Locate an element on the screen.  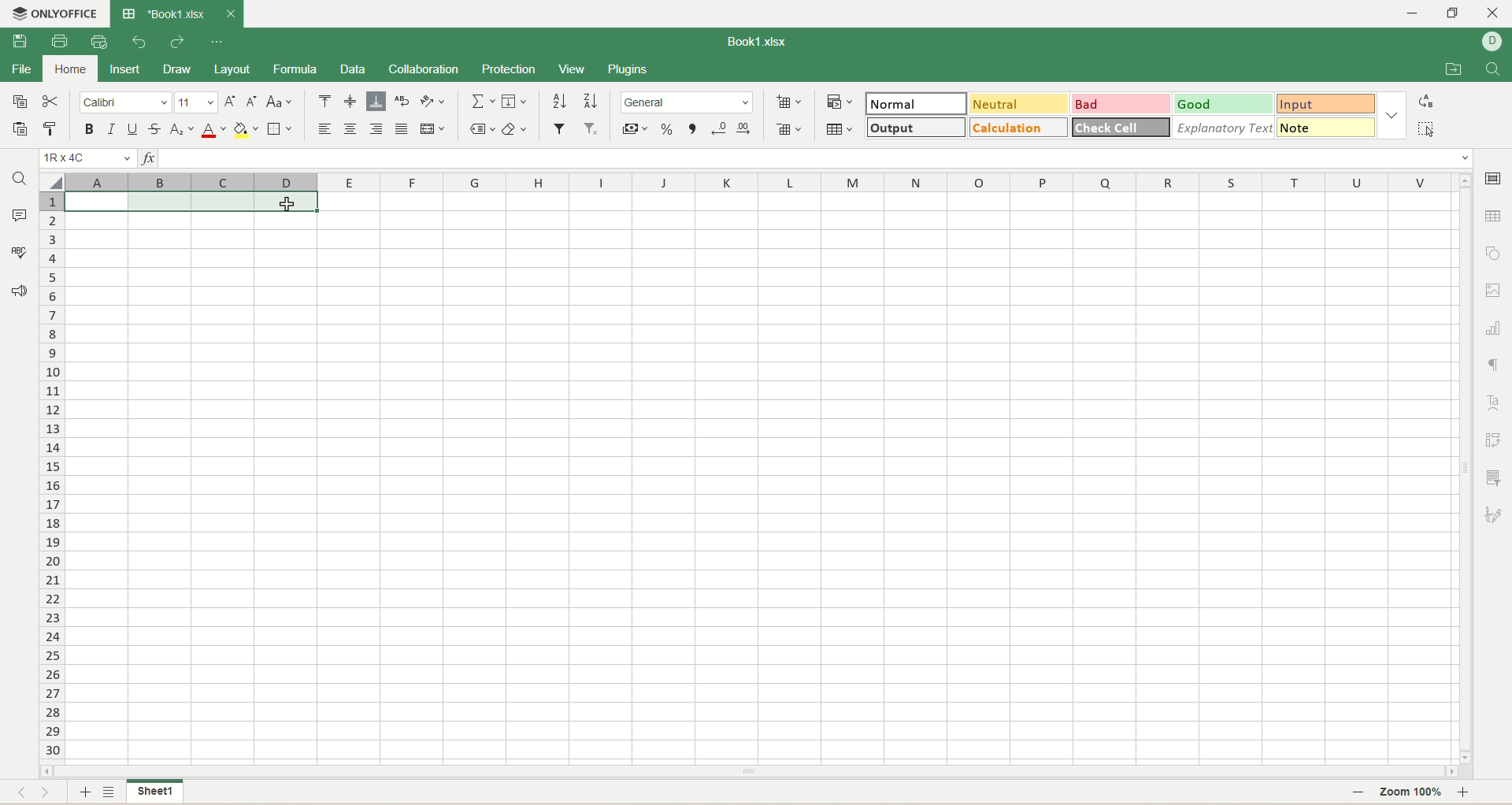
remove cell is located at coordinates (788, 128).